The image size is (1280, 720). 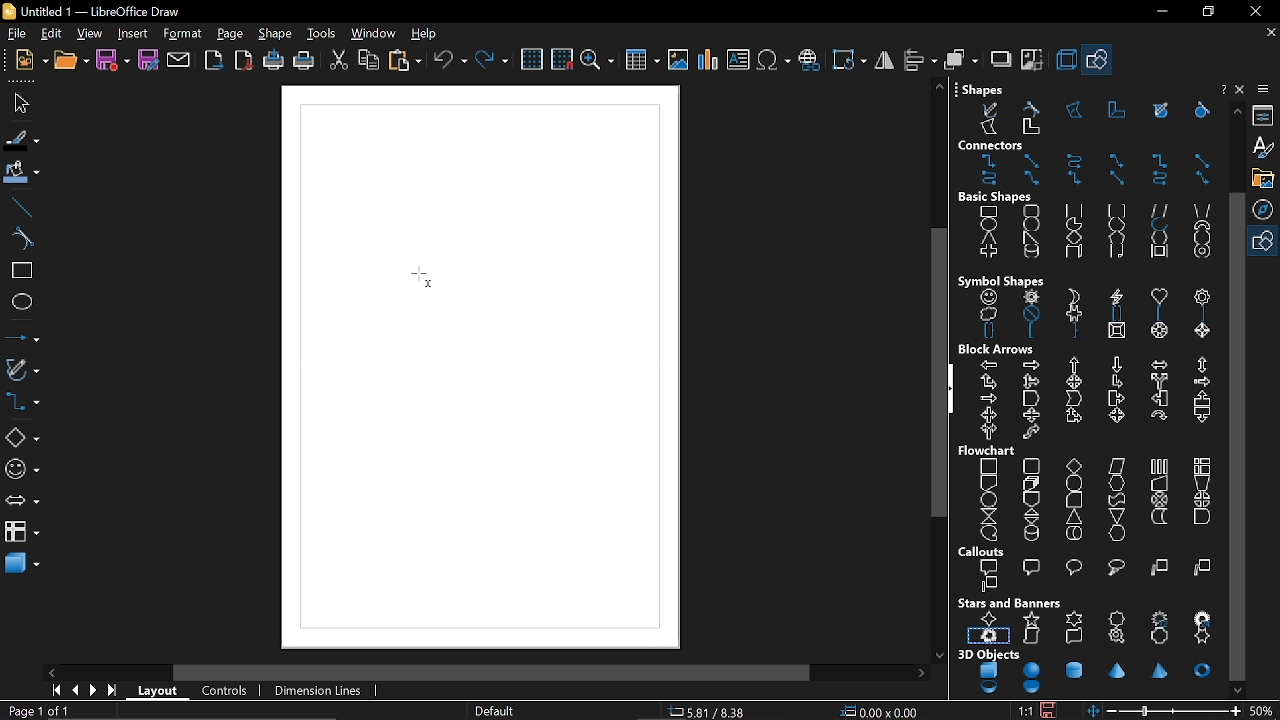 I want to click on line, so click(x=21, y=208).